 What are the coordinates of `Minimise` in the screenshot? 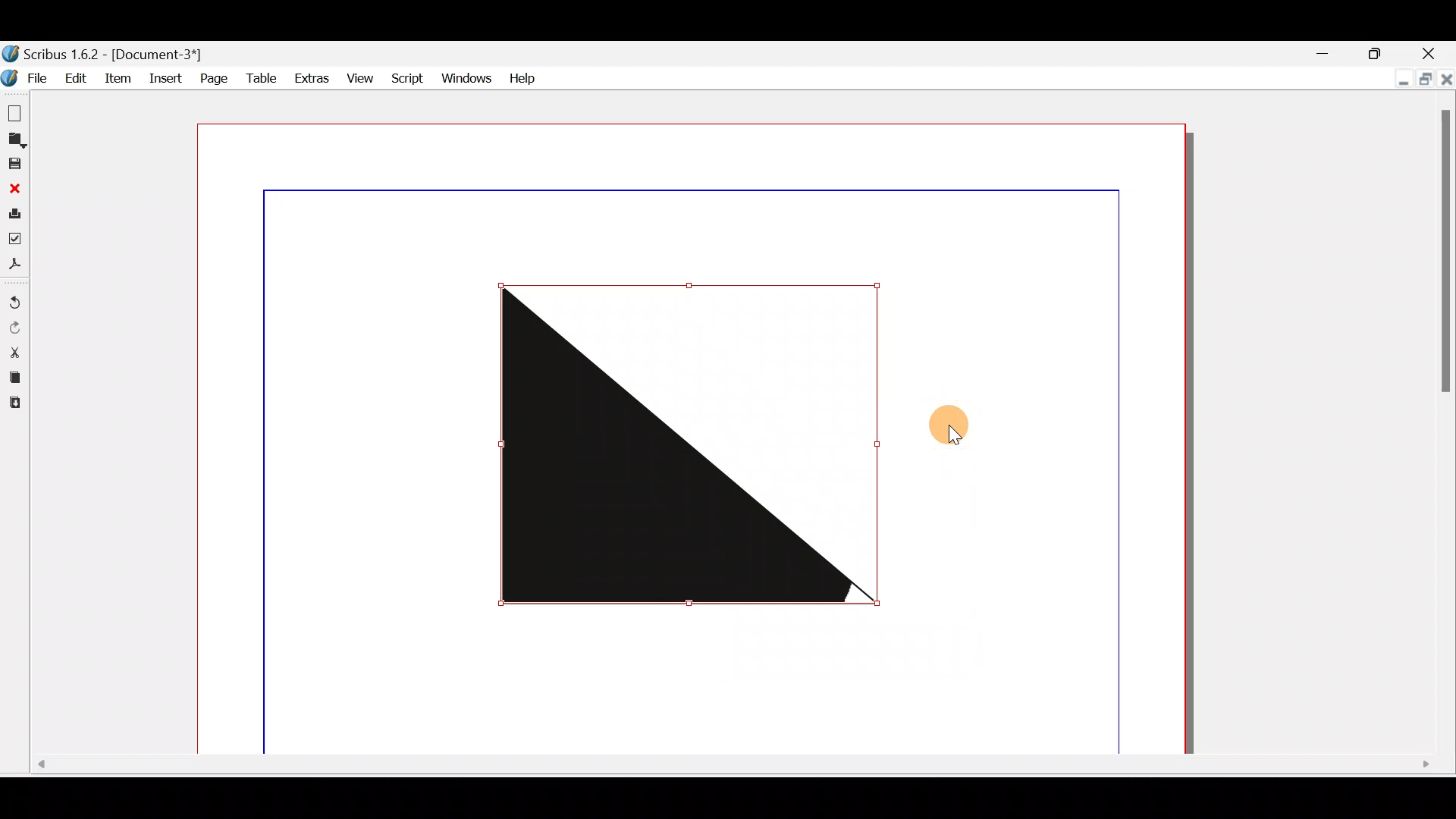 It's located at (1323, 52).